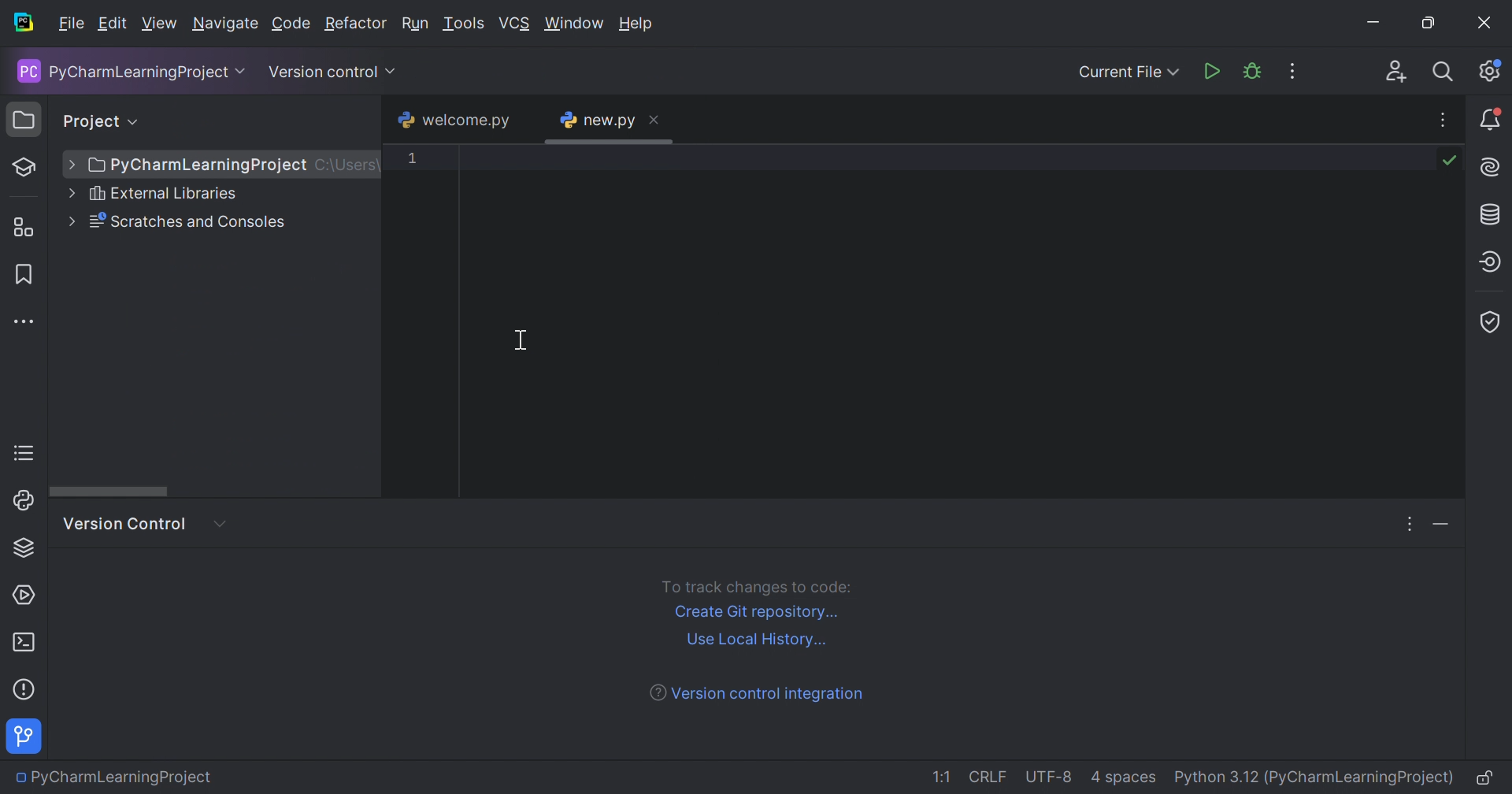 This screenshot has height=794, width=1512. What do you see at coordinates (159, 26) in the screenshot?
I see `View` at bounding box center [159, 26].